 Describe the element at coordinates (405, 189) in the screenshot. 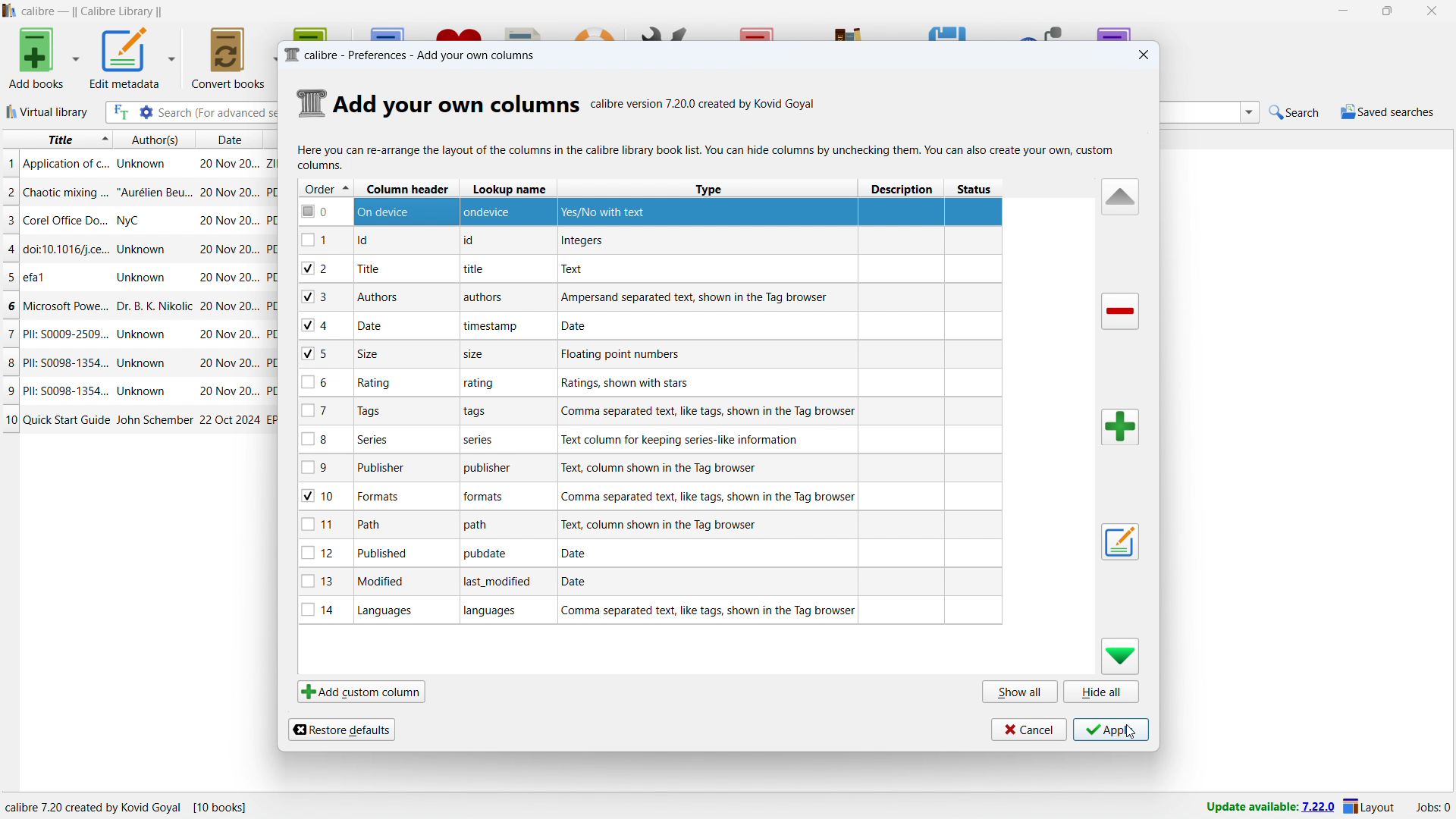

I see `column header` at that location.